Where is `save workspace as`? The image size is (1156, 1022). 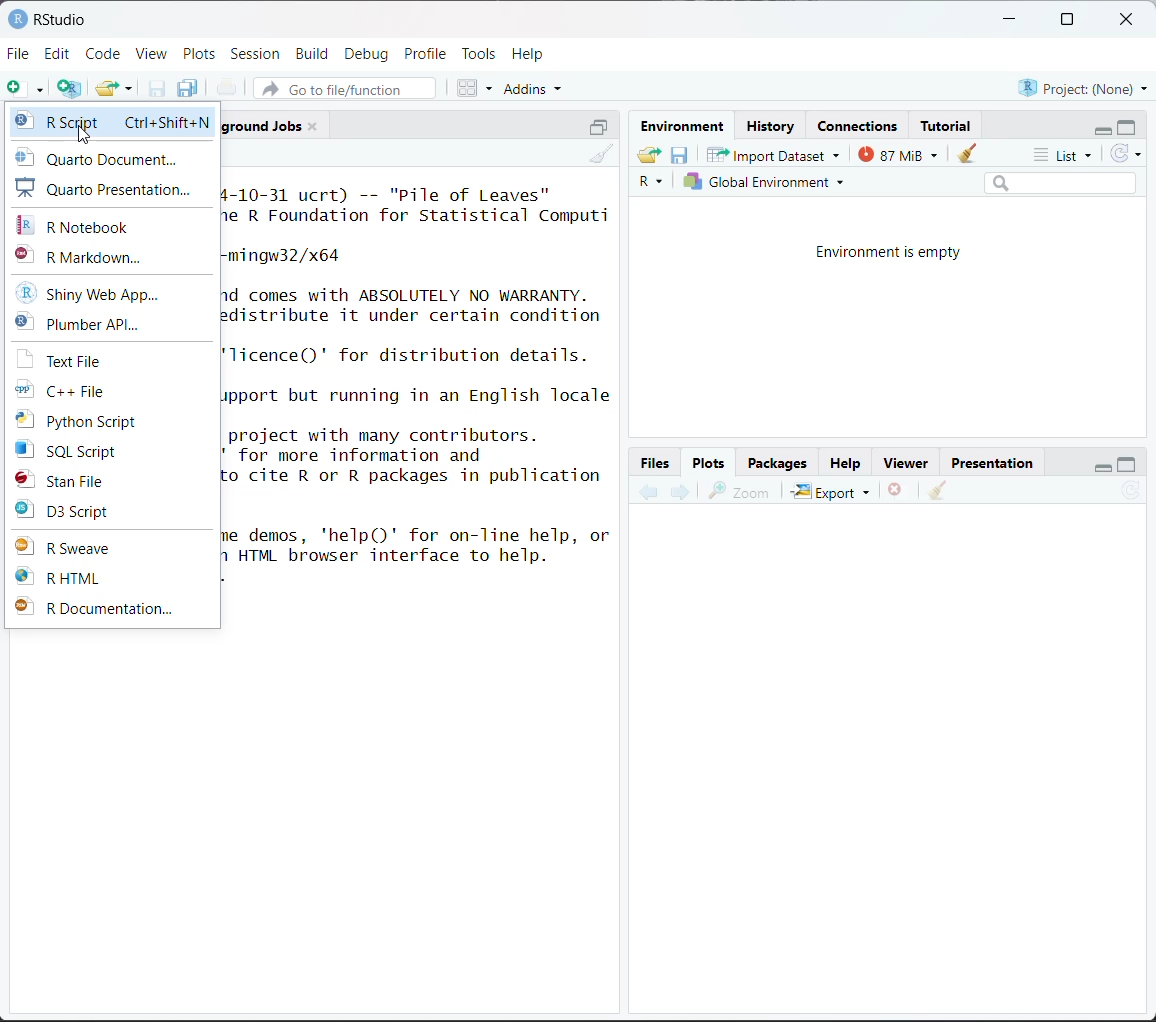 save workspace as is located at coordinates (680, 156).